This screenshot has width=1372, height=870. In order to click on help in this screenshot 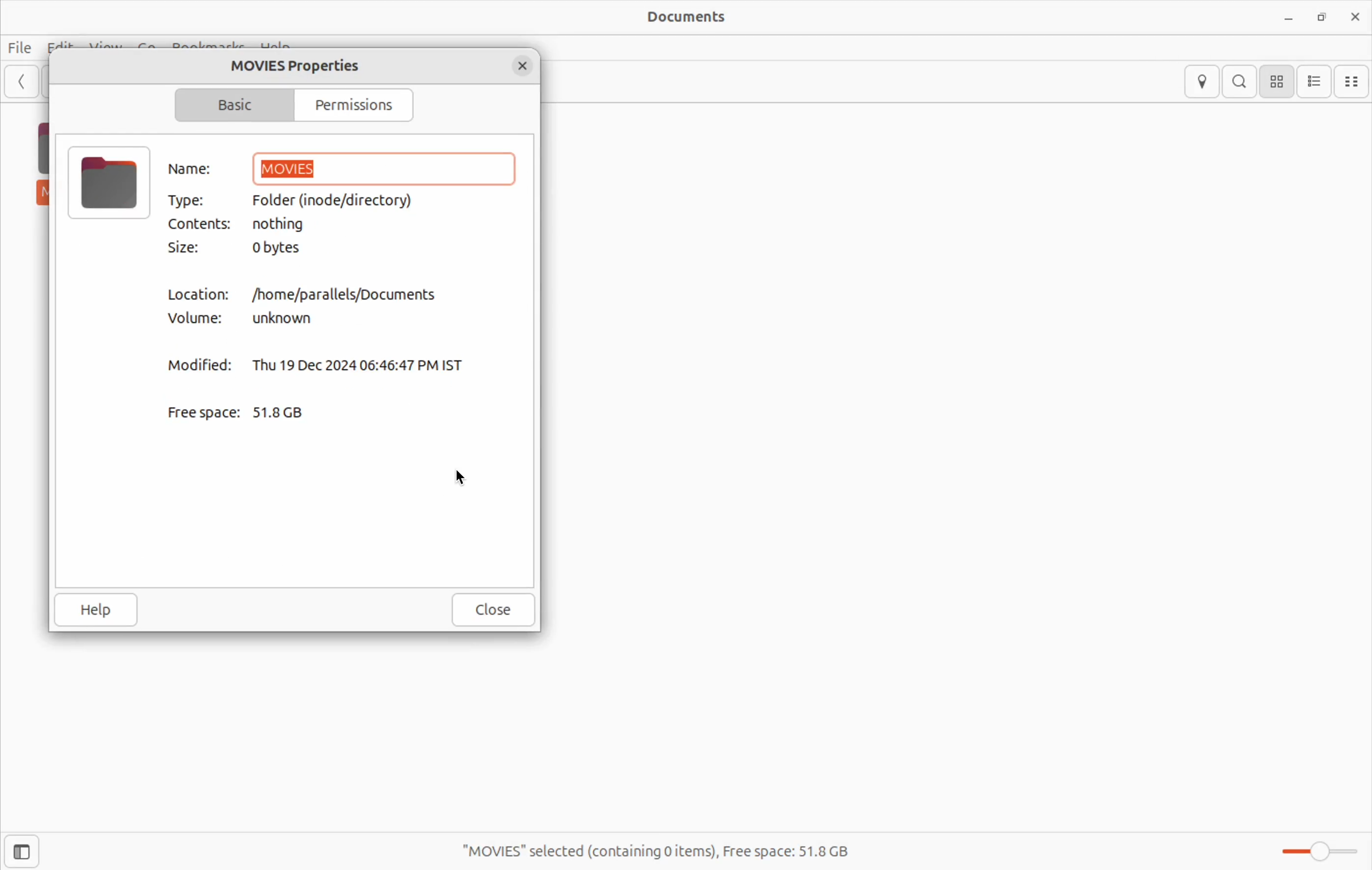, I will do `click(101, 610)`.